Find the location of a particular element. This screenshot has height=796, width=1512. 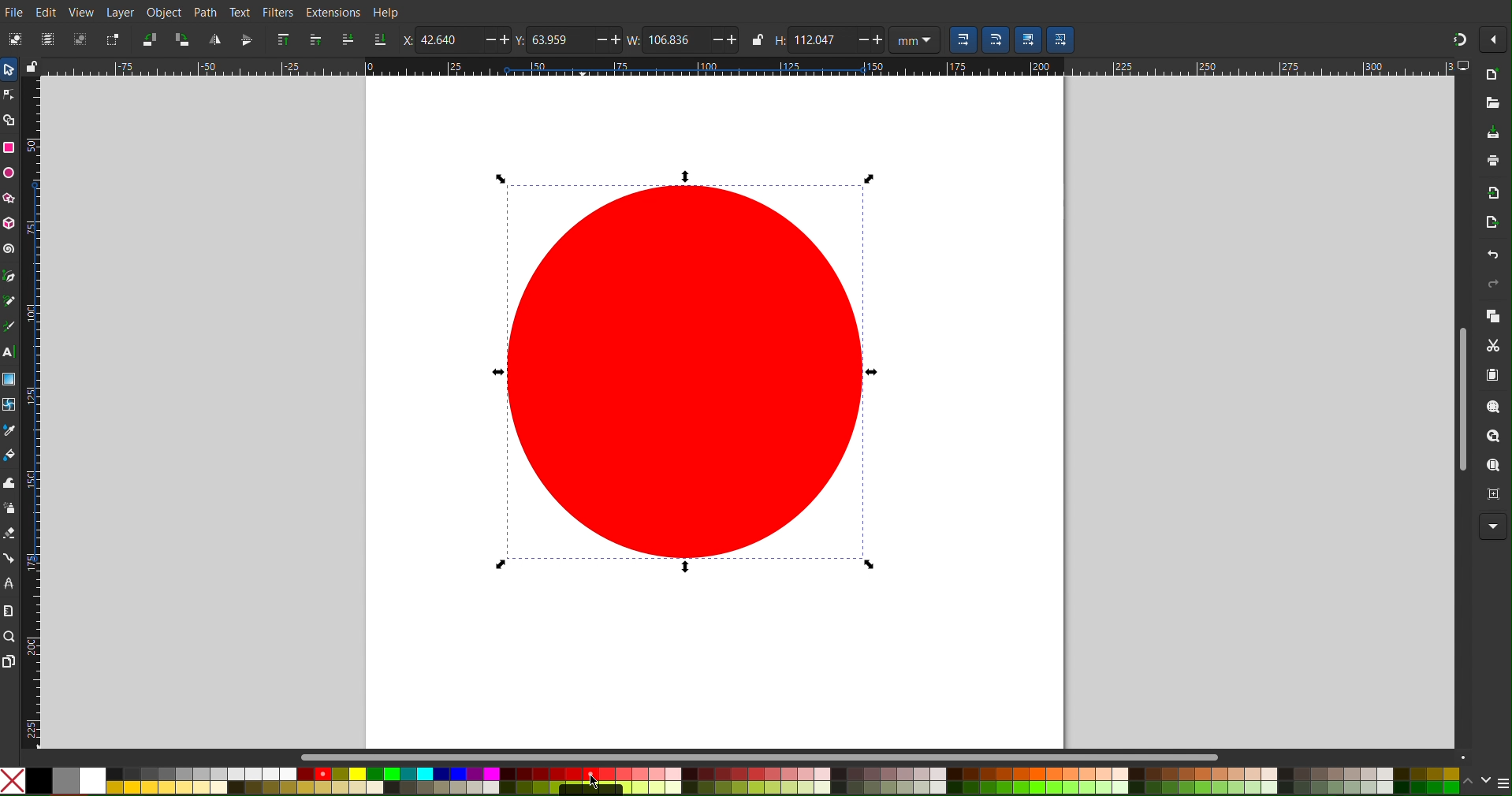

Horizontal Ruler is located at coordinates (748, 66).